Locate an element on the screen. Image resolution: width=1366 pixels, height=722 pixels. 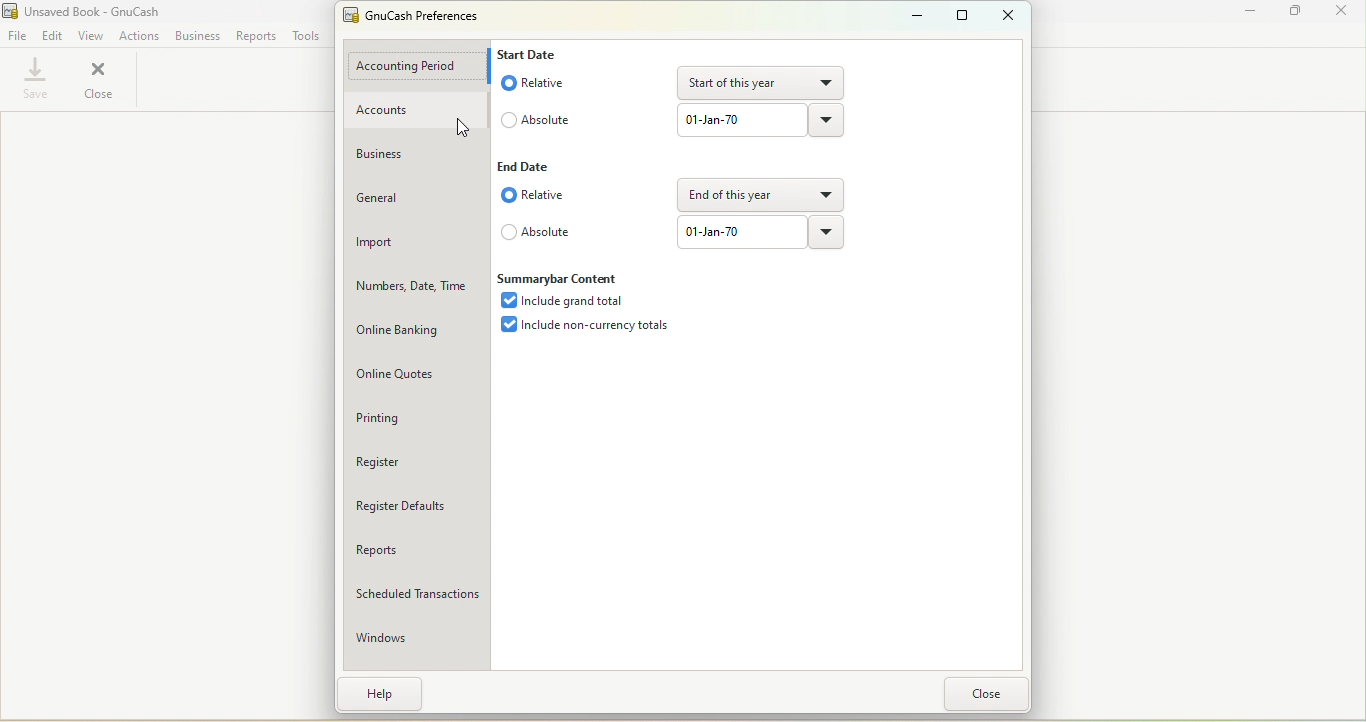
Edit is located at coordinates (52, 34).